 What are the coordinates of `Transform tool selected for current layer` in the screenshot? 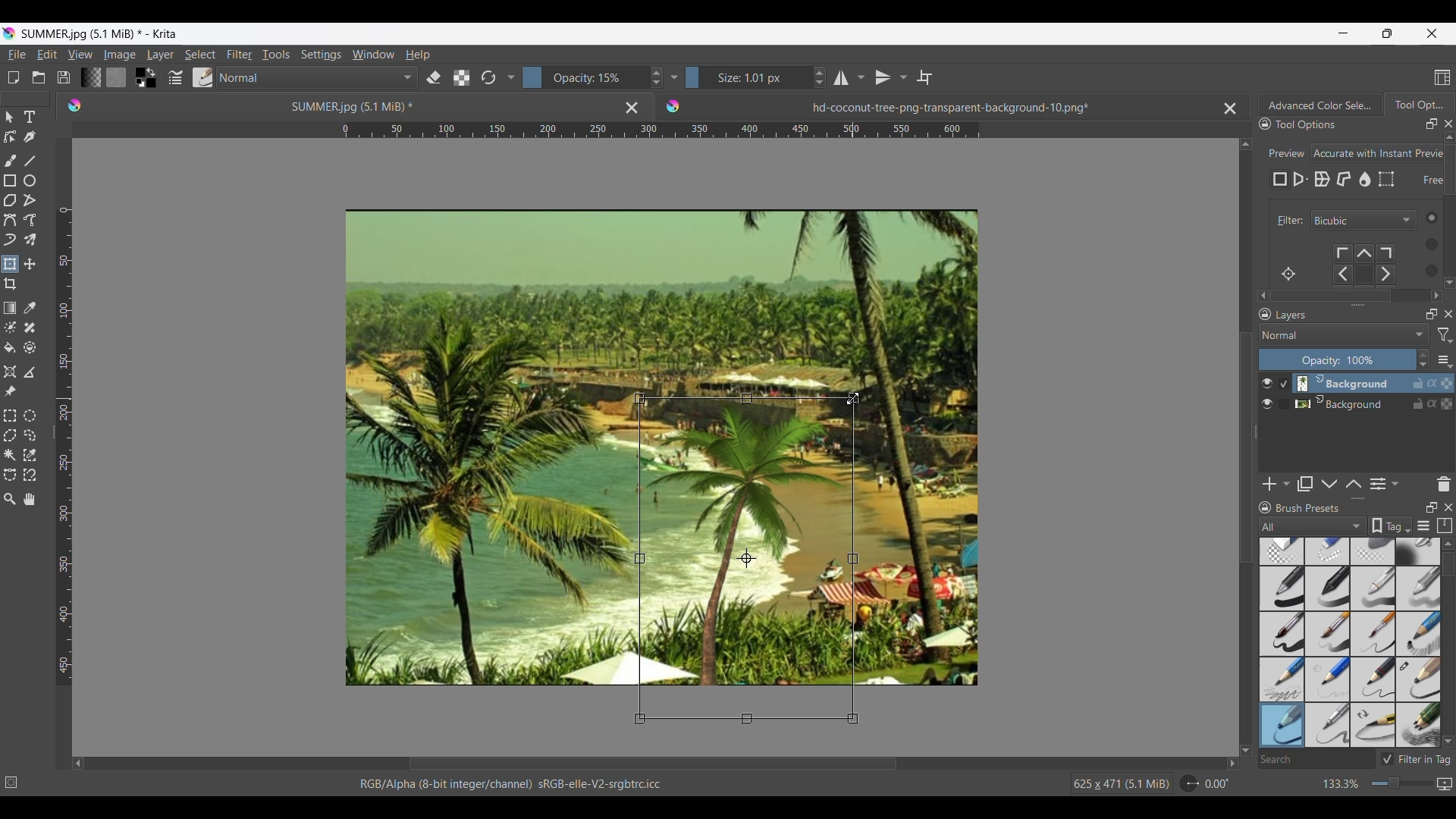 It's located at (745, 557).